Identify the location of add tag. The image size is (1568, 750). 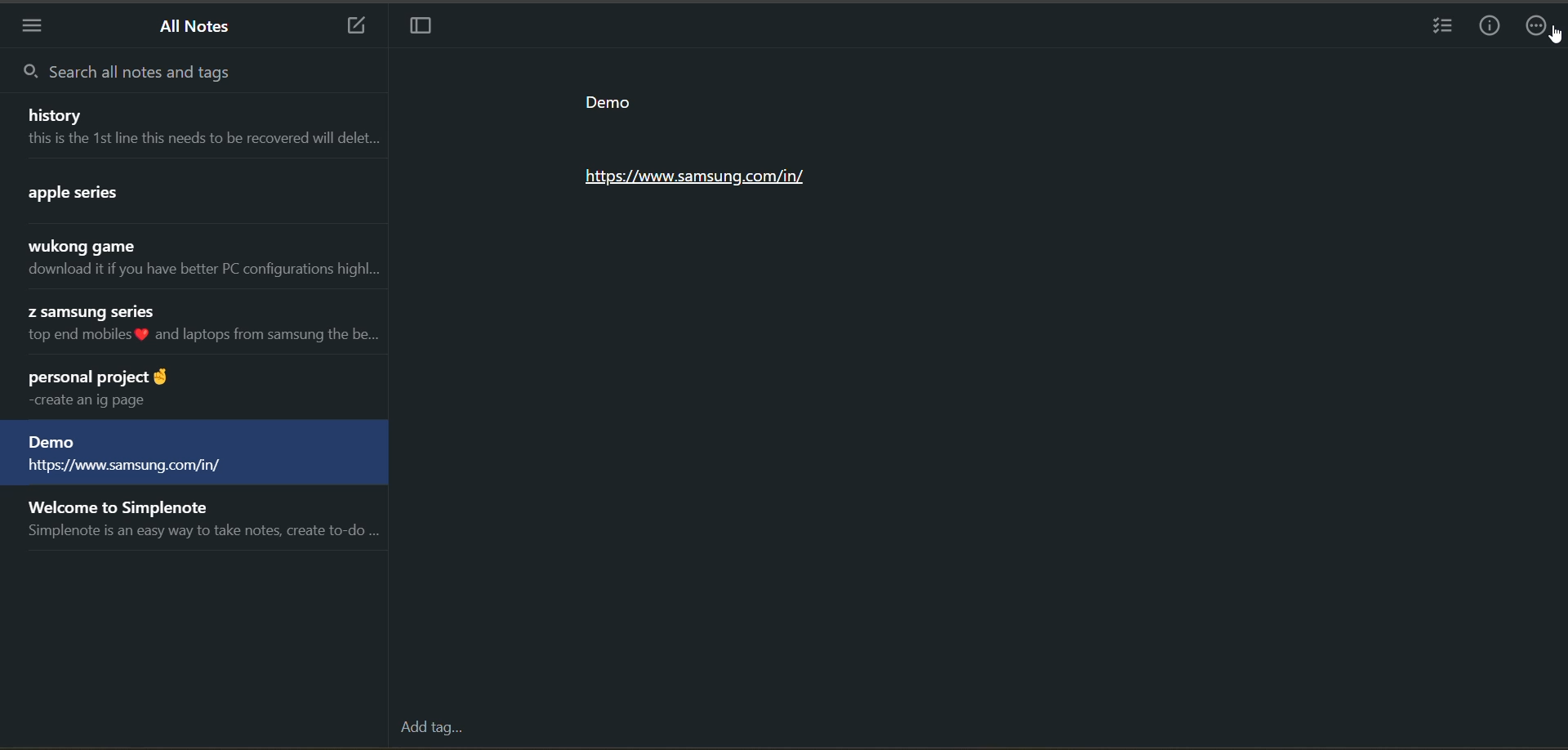
(430, 729).